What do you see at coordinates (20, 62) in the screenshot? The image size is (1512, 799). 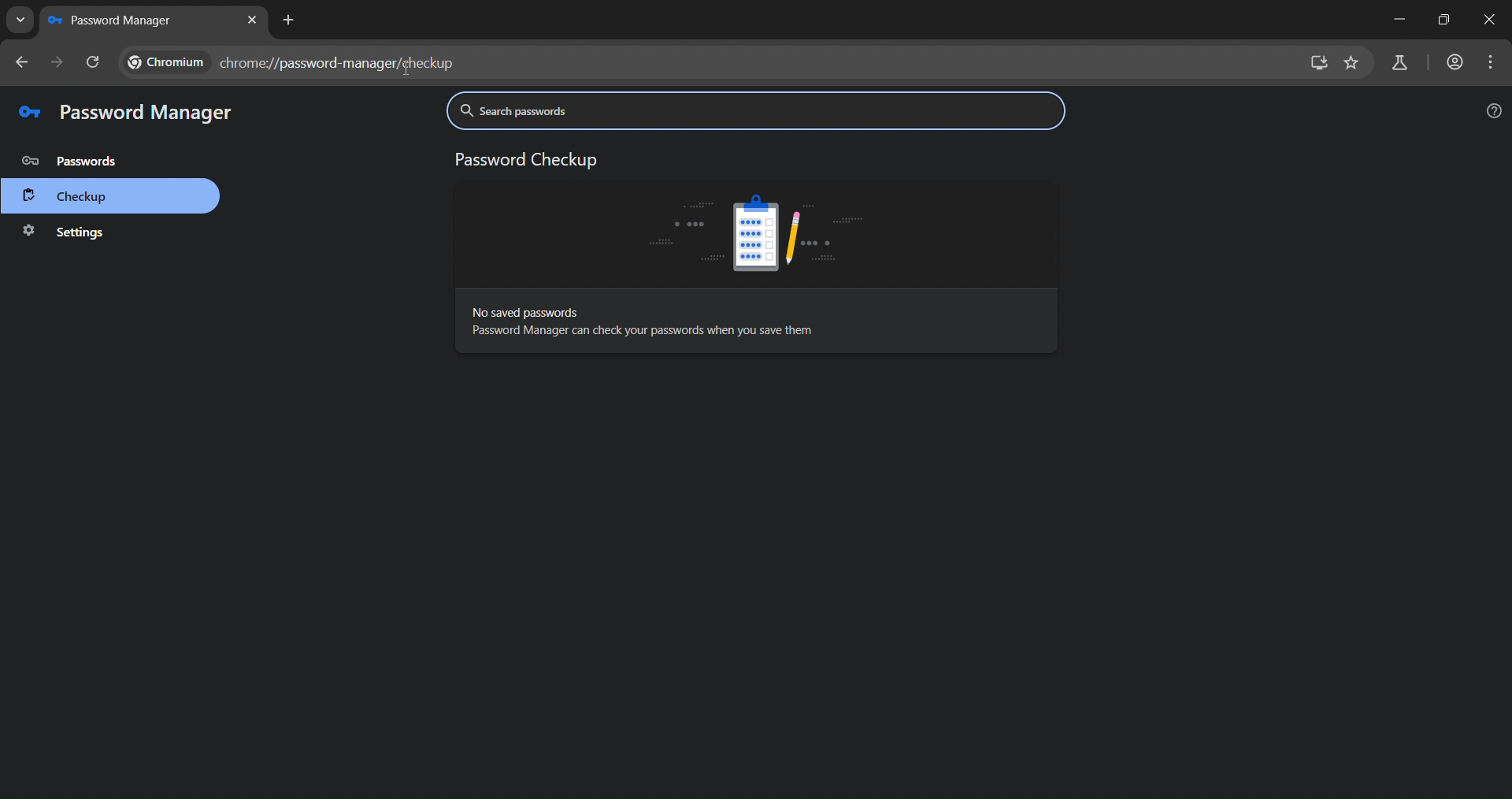 I see `go back one page` at bounding box center [20, 62].